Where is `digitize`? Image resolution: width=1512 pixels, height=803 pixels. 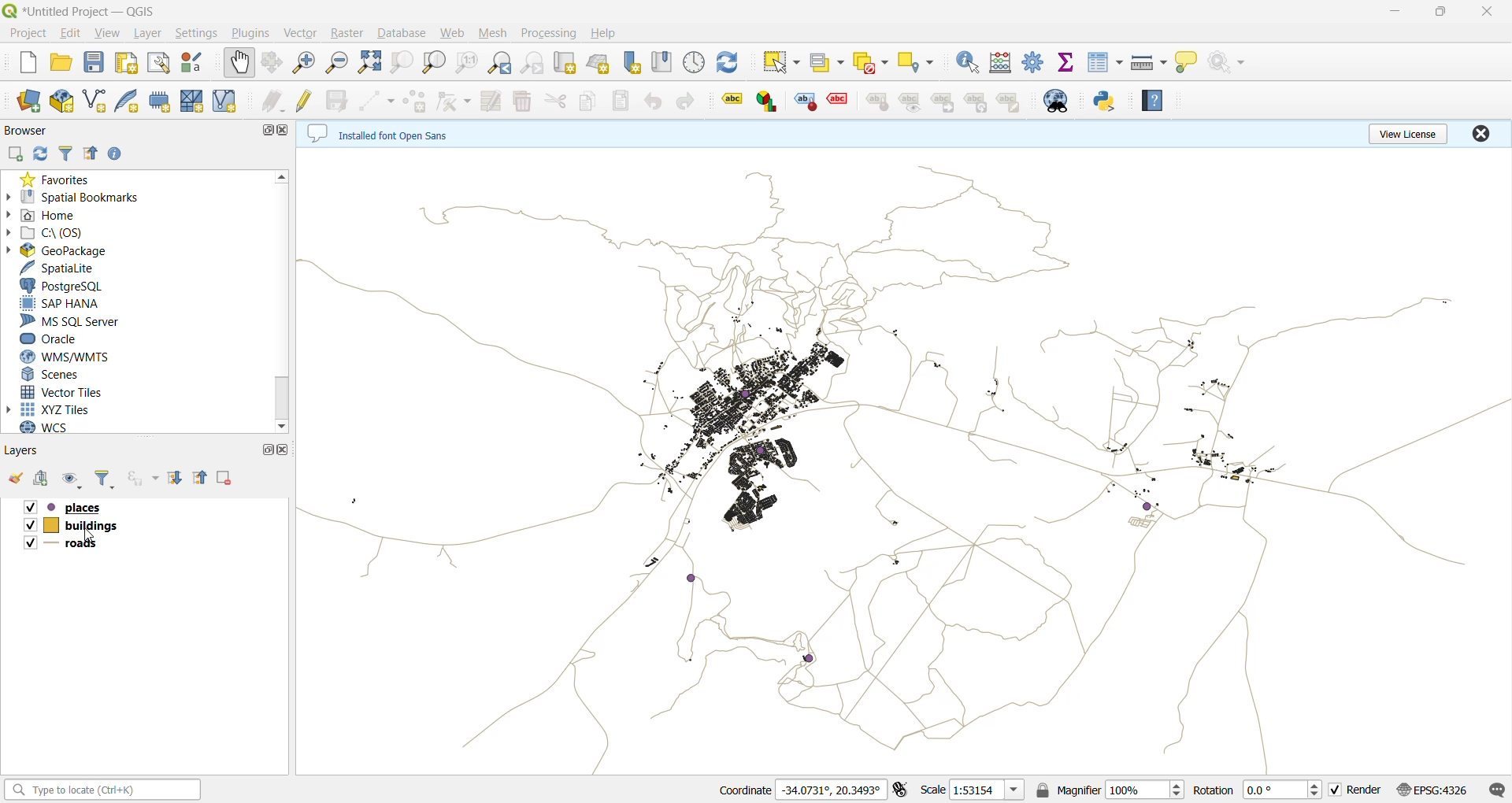 digitize is located at coordinates (382, 100).